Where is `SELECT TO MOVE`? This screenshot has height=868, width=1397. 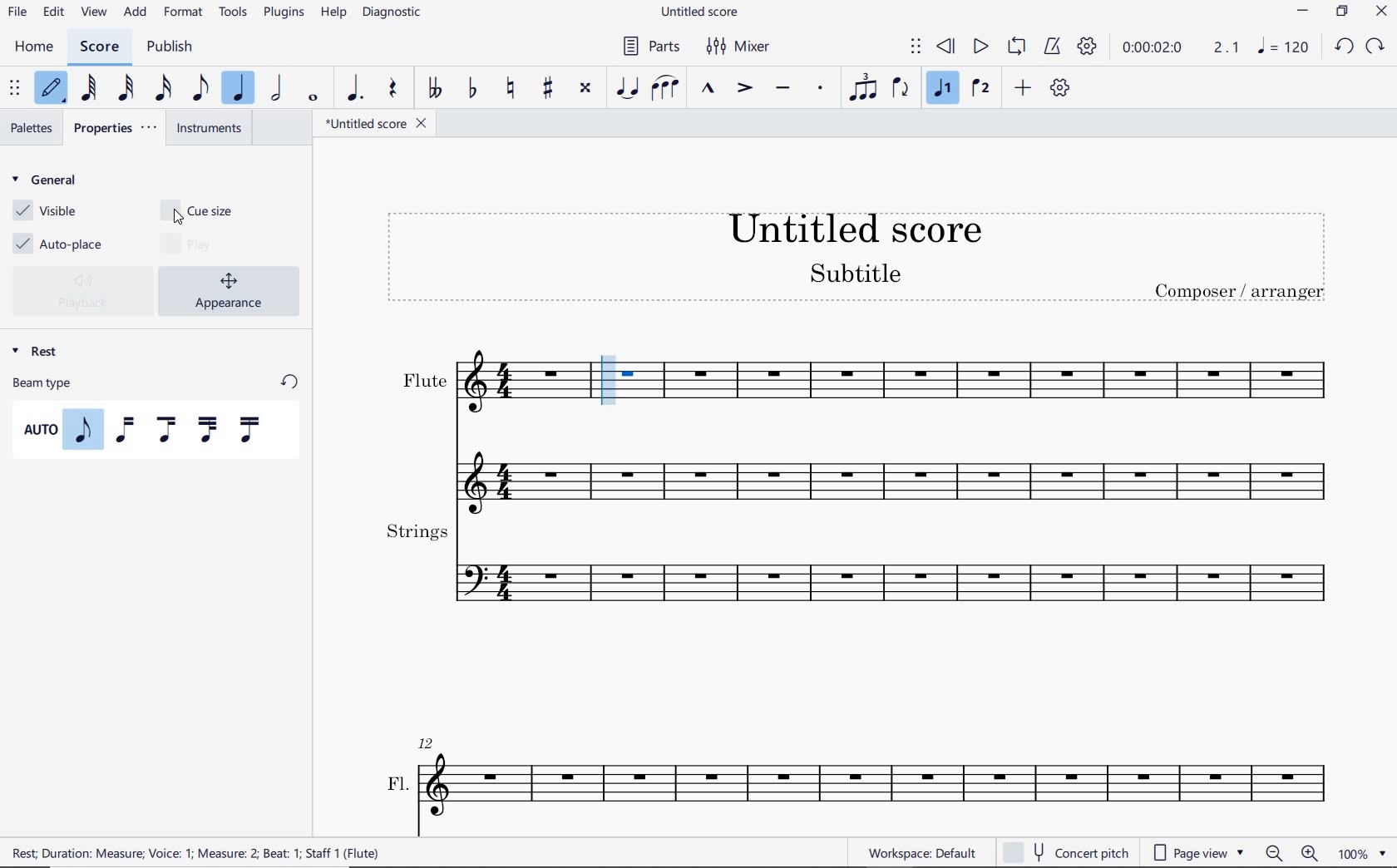 SELECT TO MOVE is located at coordinates (16, 89).